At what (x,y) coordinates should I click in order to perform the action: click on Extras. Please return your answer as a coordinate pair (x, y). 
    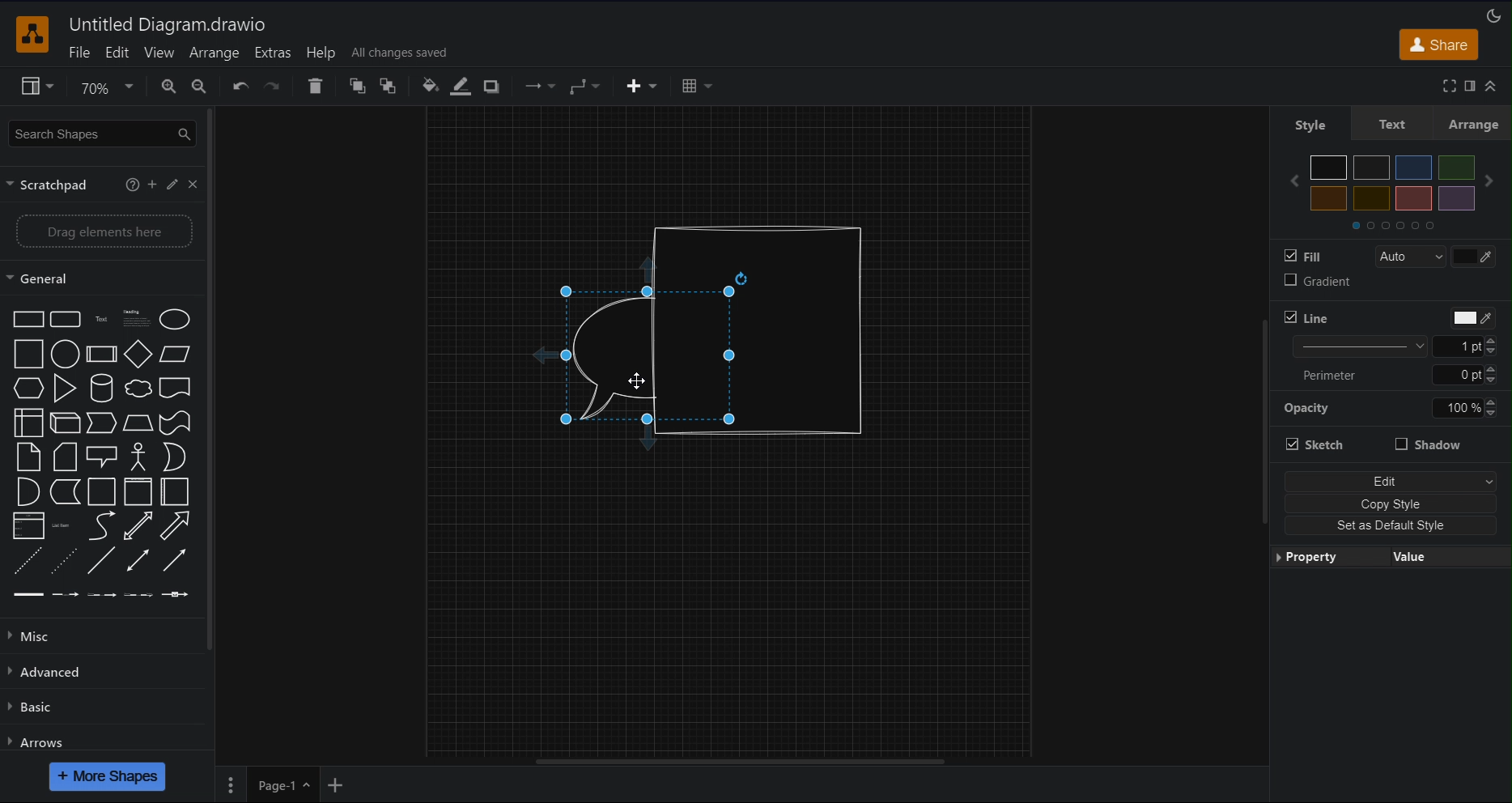
    Looking at the image, I should click on (274, 53).